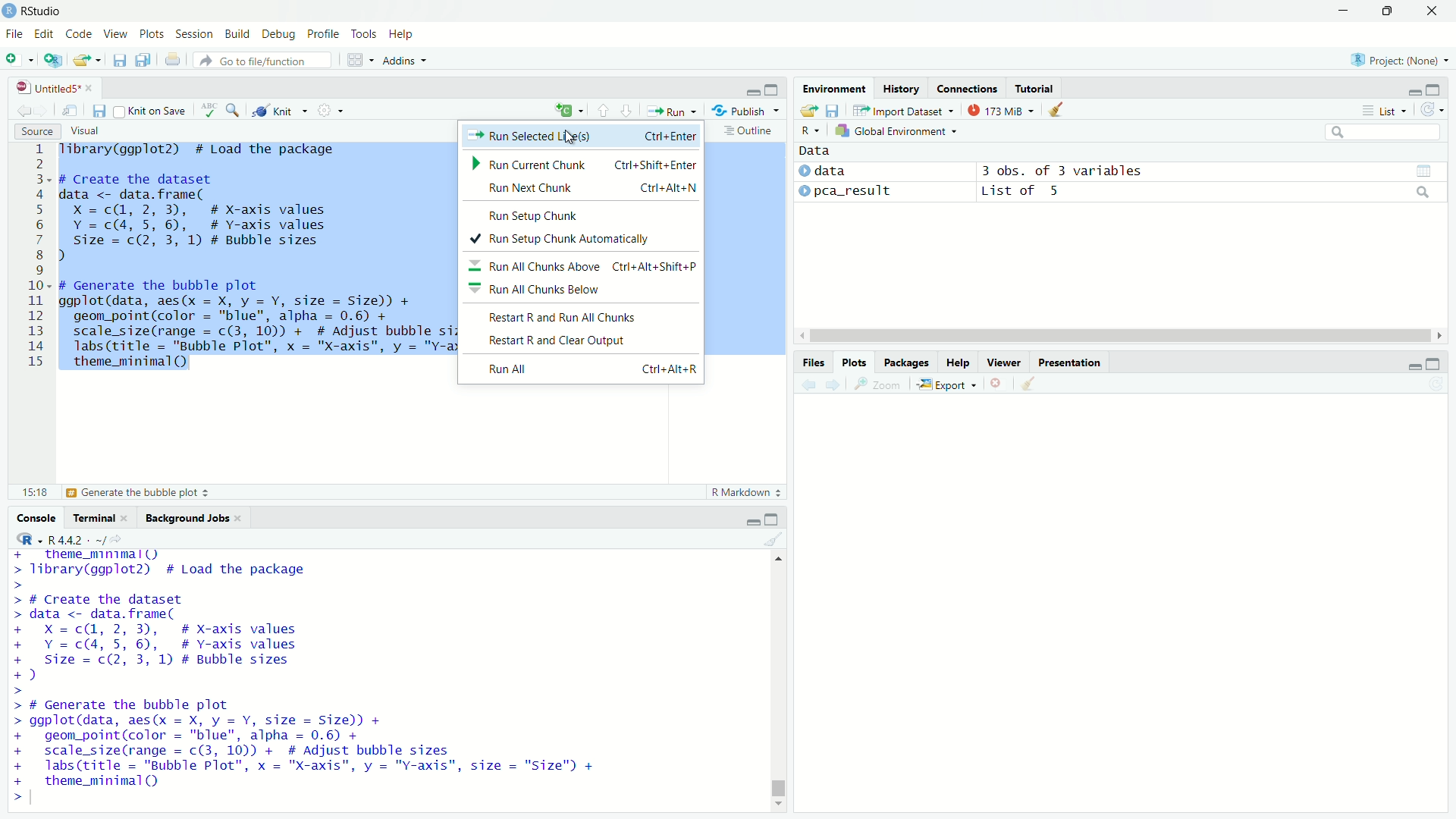 The width and height of the screenshot is (1456, 819). I want to click on import dataset, so click(902, 111).